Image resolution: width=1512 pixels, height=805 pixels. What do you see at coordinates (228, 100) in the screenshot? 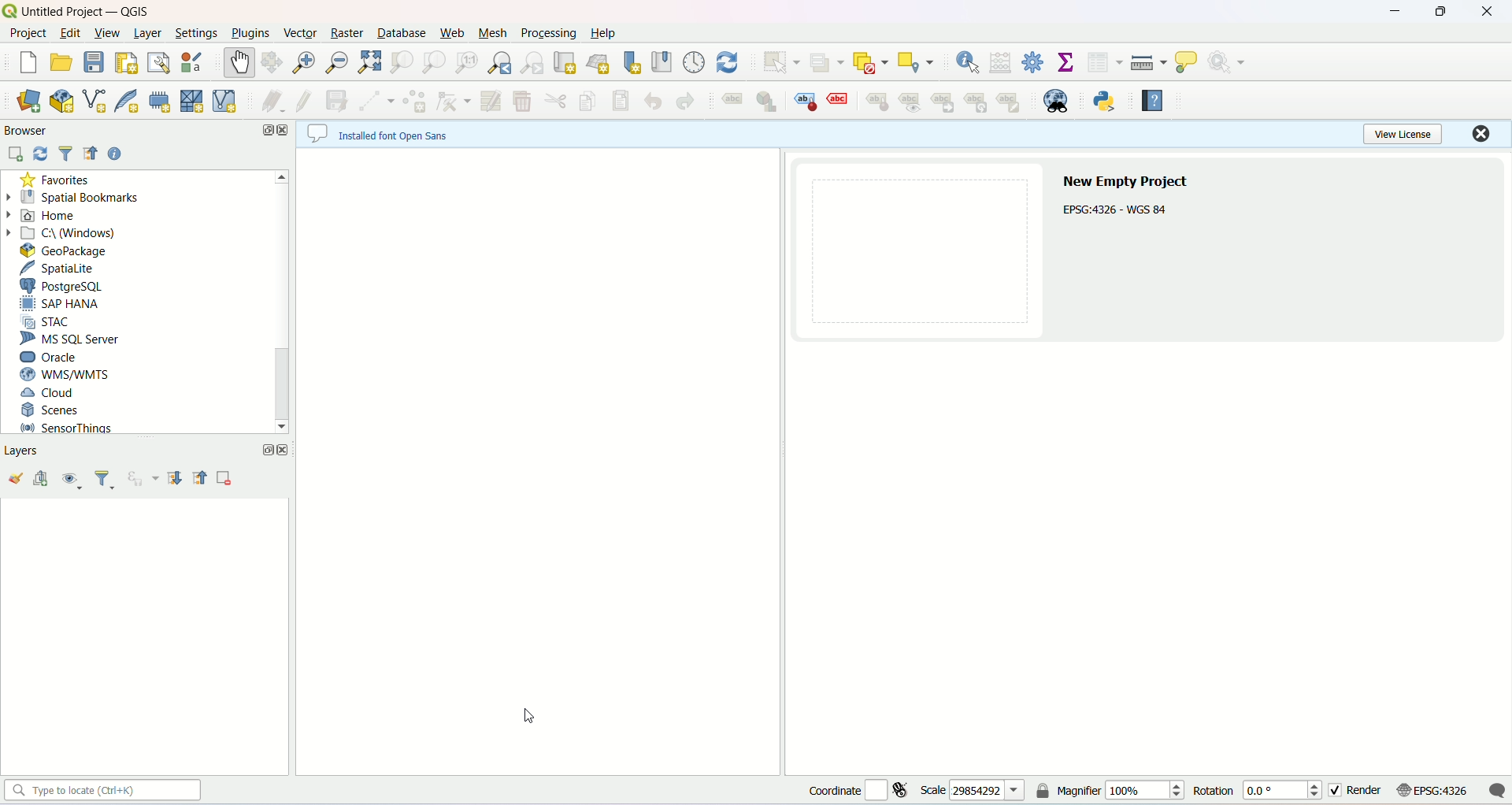
I see `new virtual layer` at bounding box center [228, 100].